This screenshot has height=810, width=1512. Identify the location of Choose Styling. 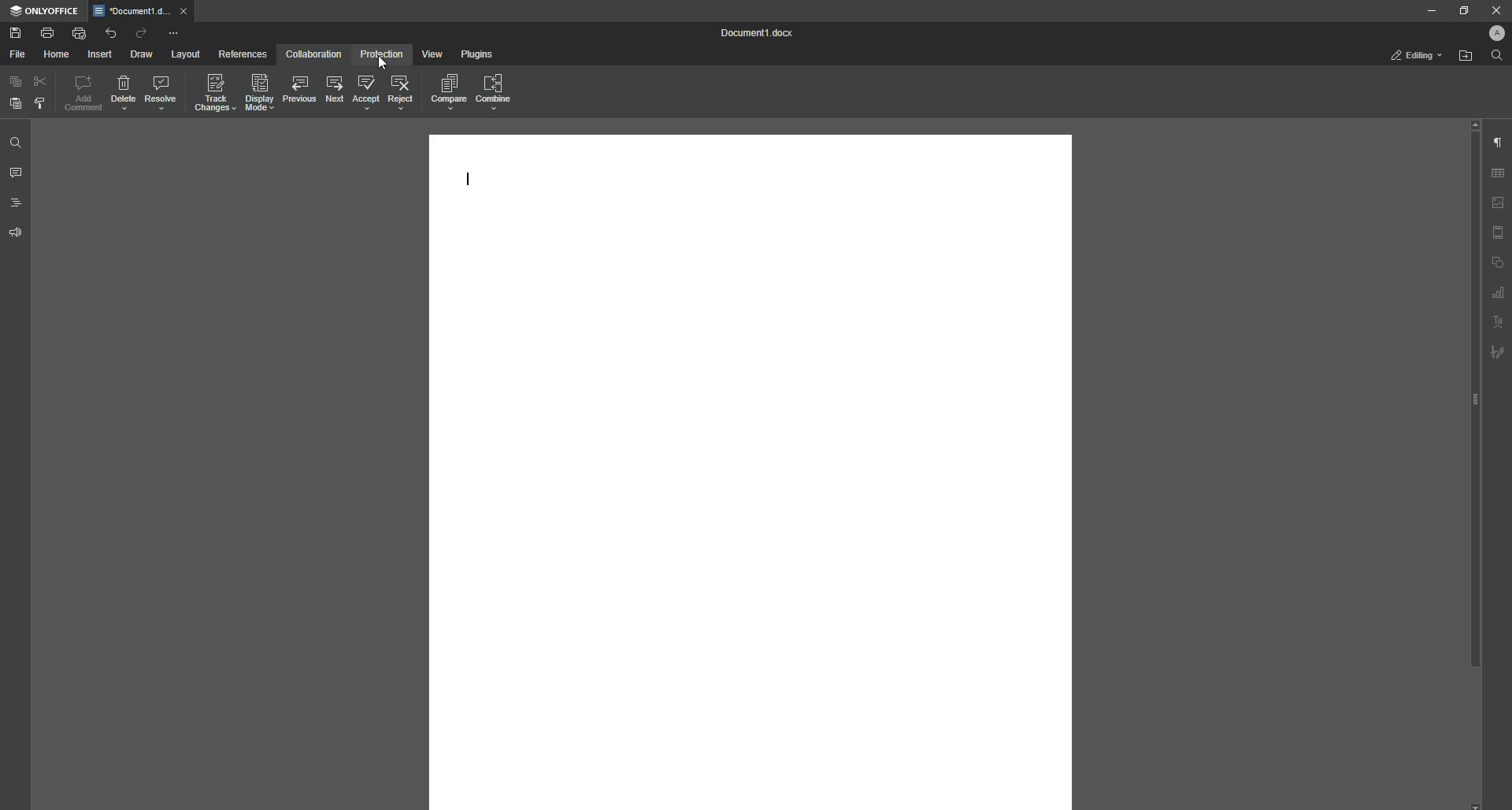
(40, 102).